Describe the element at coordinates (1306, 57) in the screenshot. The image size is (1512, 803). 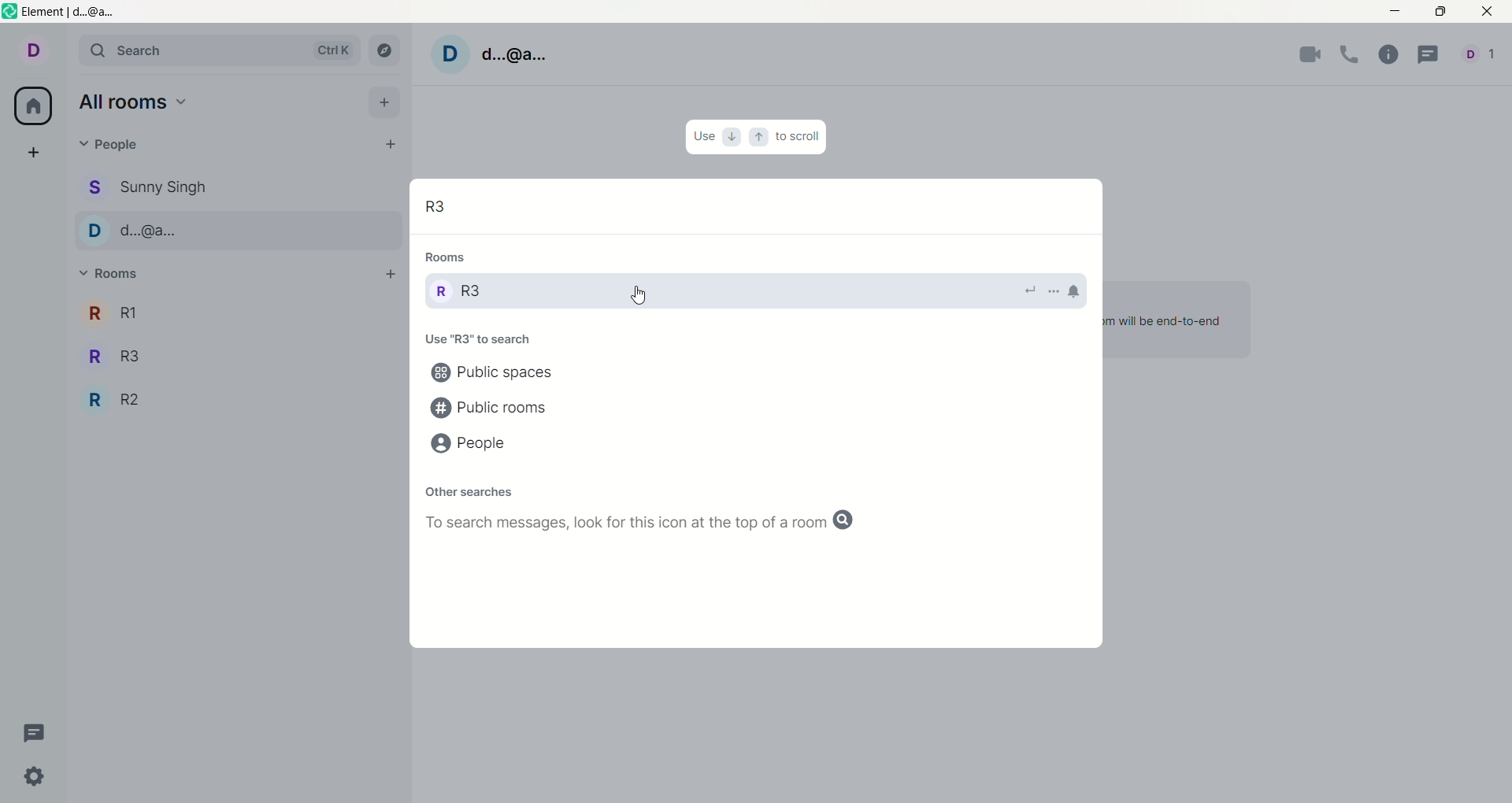
I see `video call` at that location.